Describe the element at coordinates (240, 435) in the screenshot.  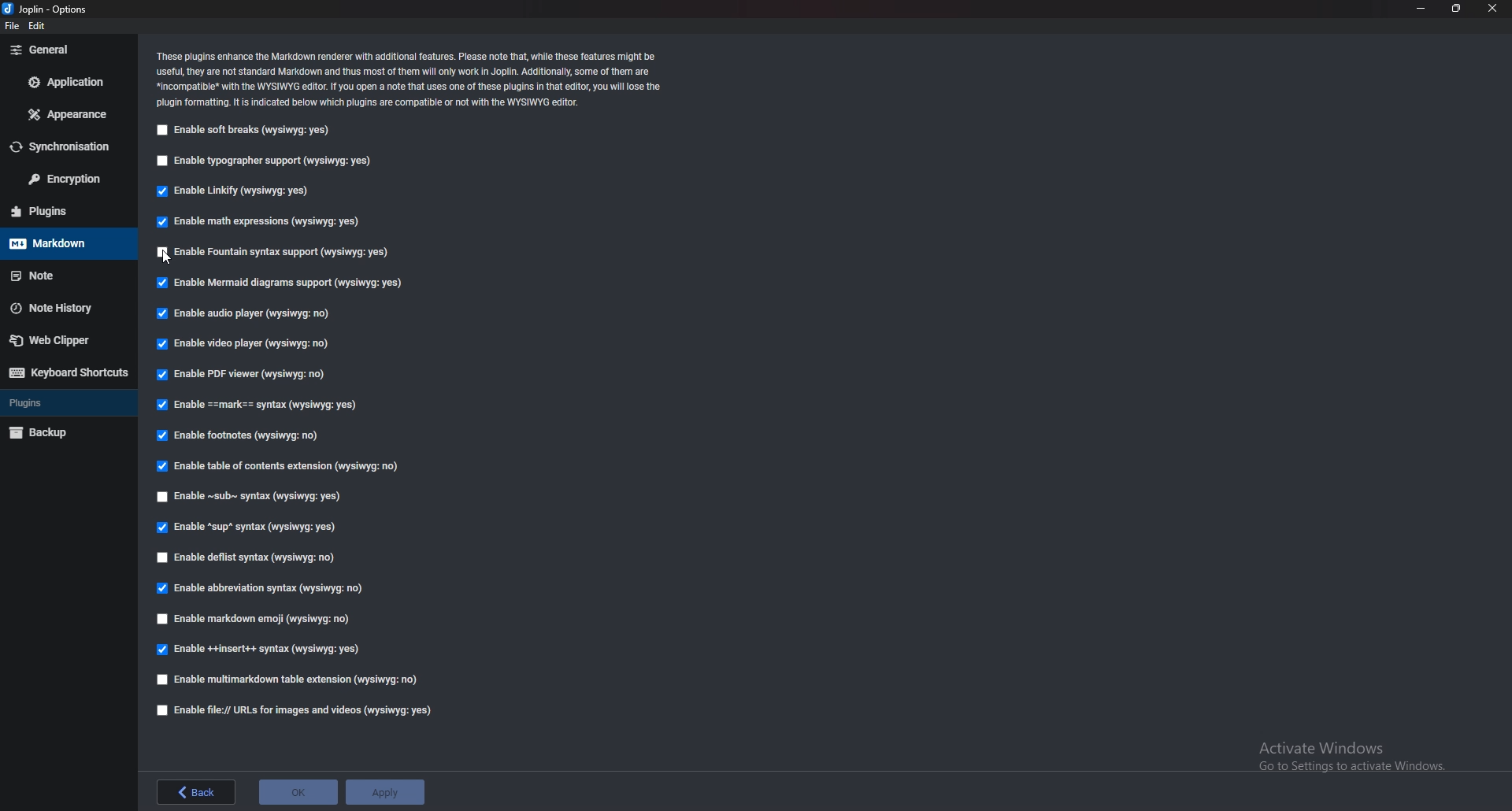
I see `Enable footnotes` at that location.